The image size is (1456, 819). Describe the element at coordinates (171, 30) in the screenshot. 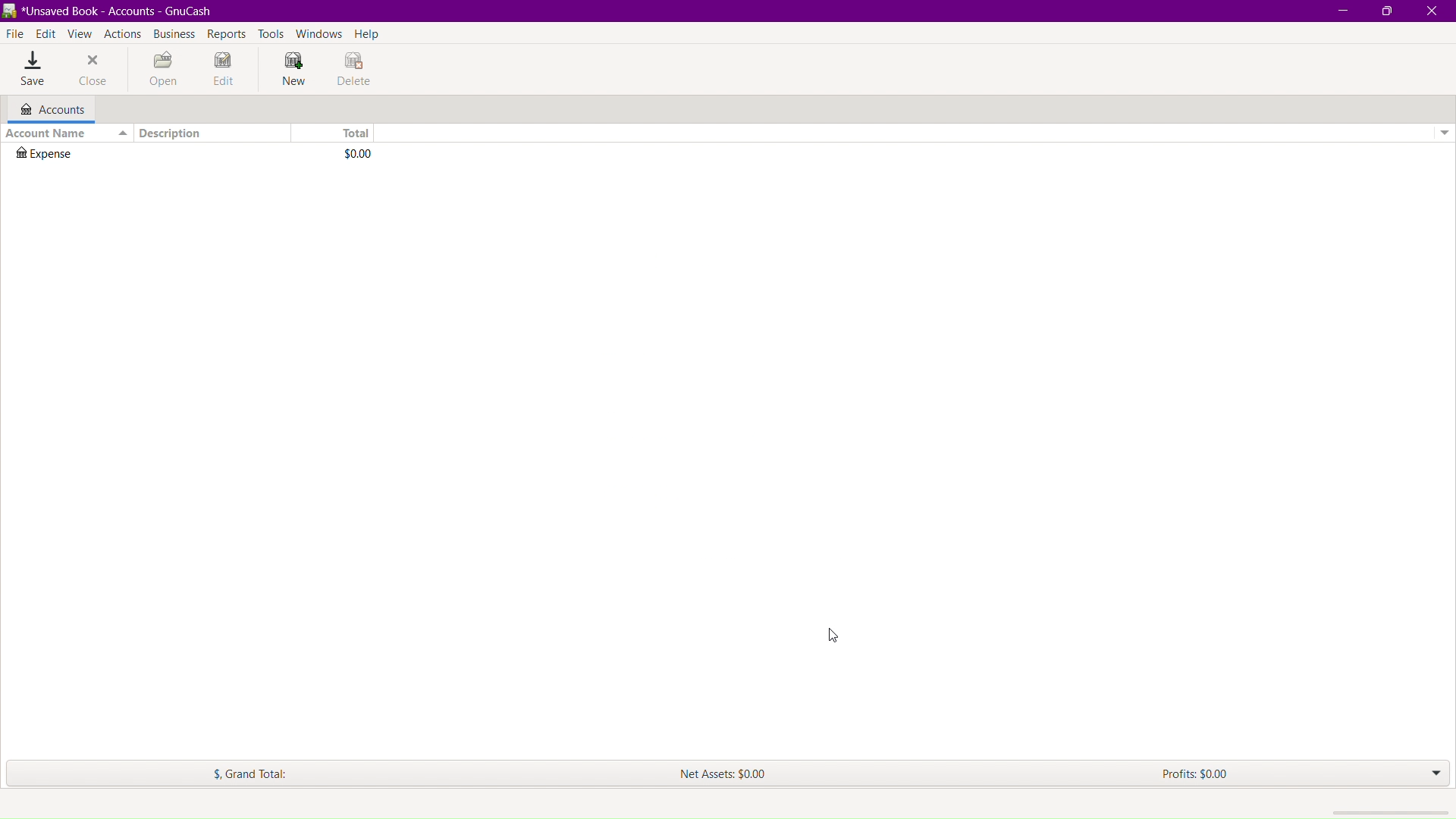

I see `Business` at that location.